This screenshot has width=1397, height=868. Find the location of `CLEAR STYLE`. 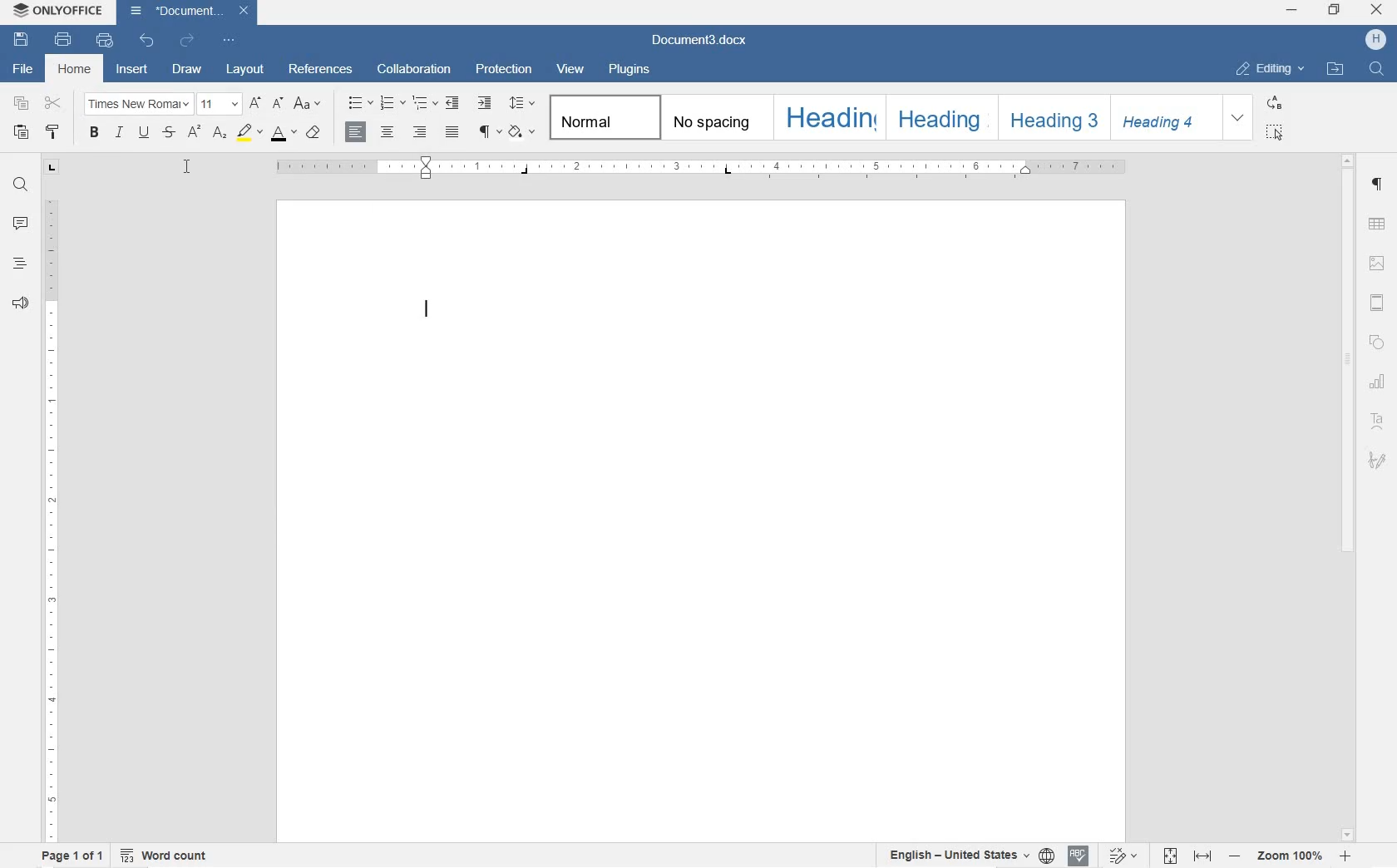

CLEAR STYLE is located at coordinates (314, 135).